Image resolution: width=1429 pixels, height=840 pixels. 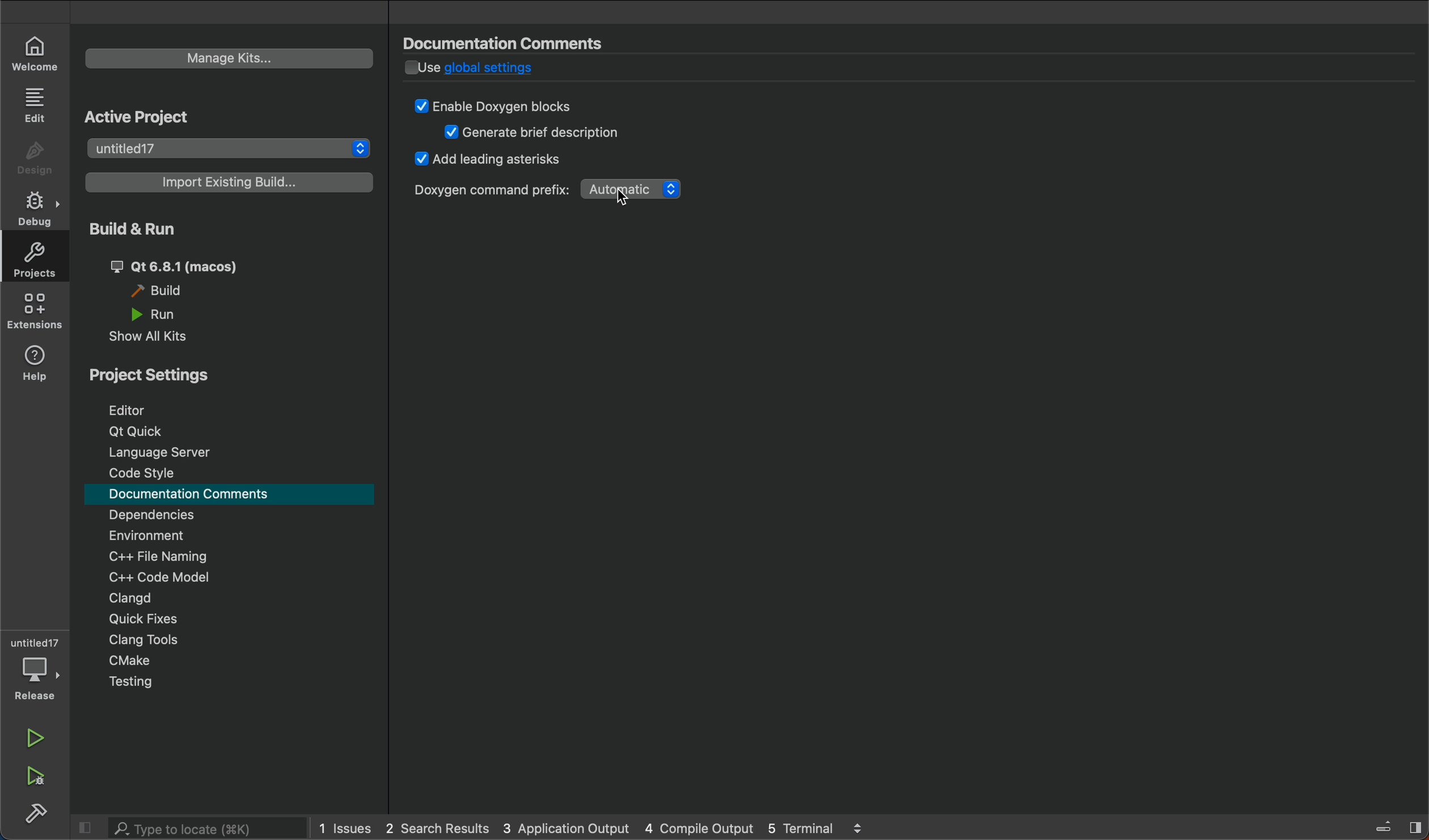 What do you see at coordinates (138, 432) in the screenshot?
I see `t quick` at bounding box center [138, 432].